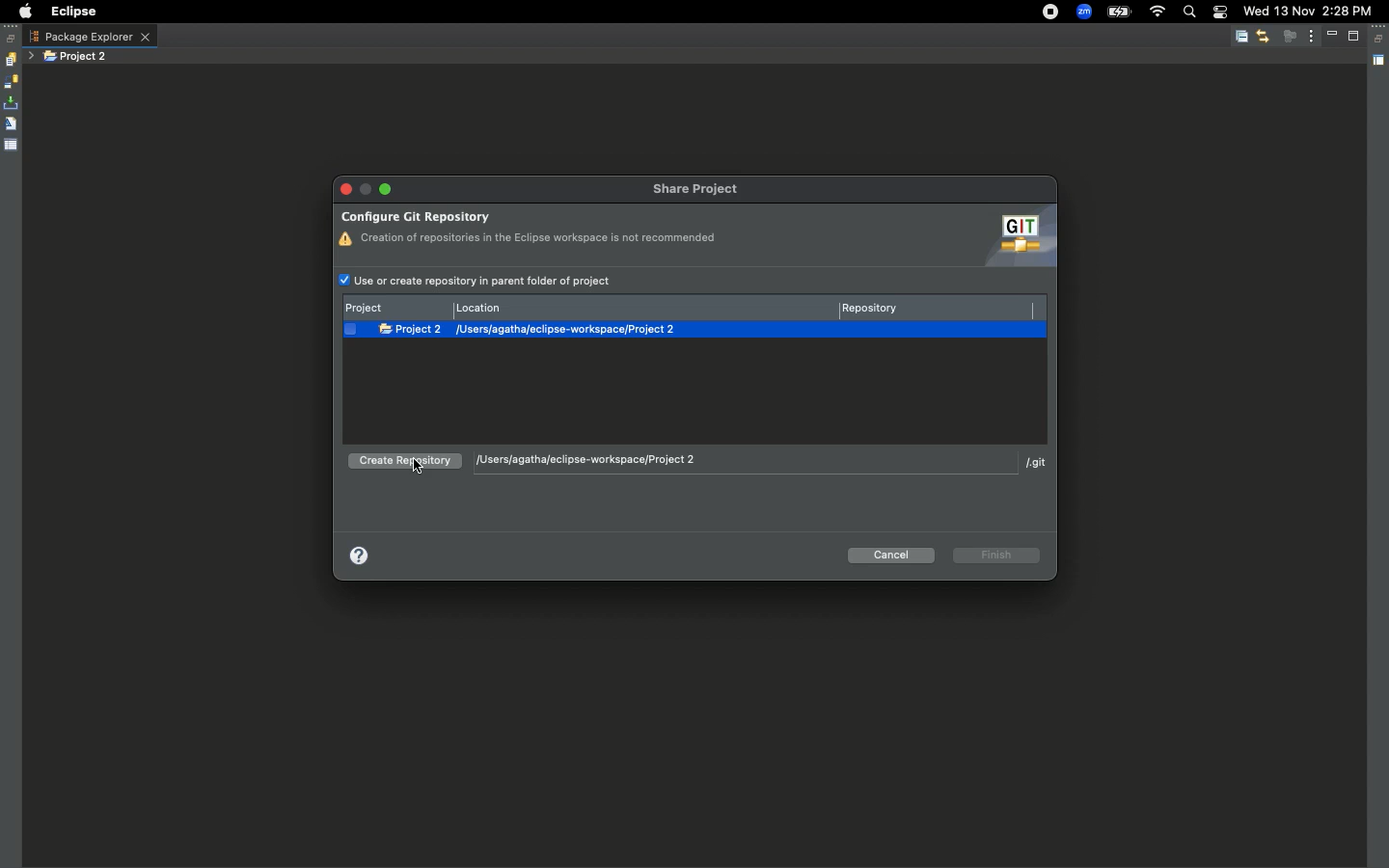  I want to click on Maximize, so click(1355, 36).